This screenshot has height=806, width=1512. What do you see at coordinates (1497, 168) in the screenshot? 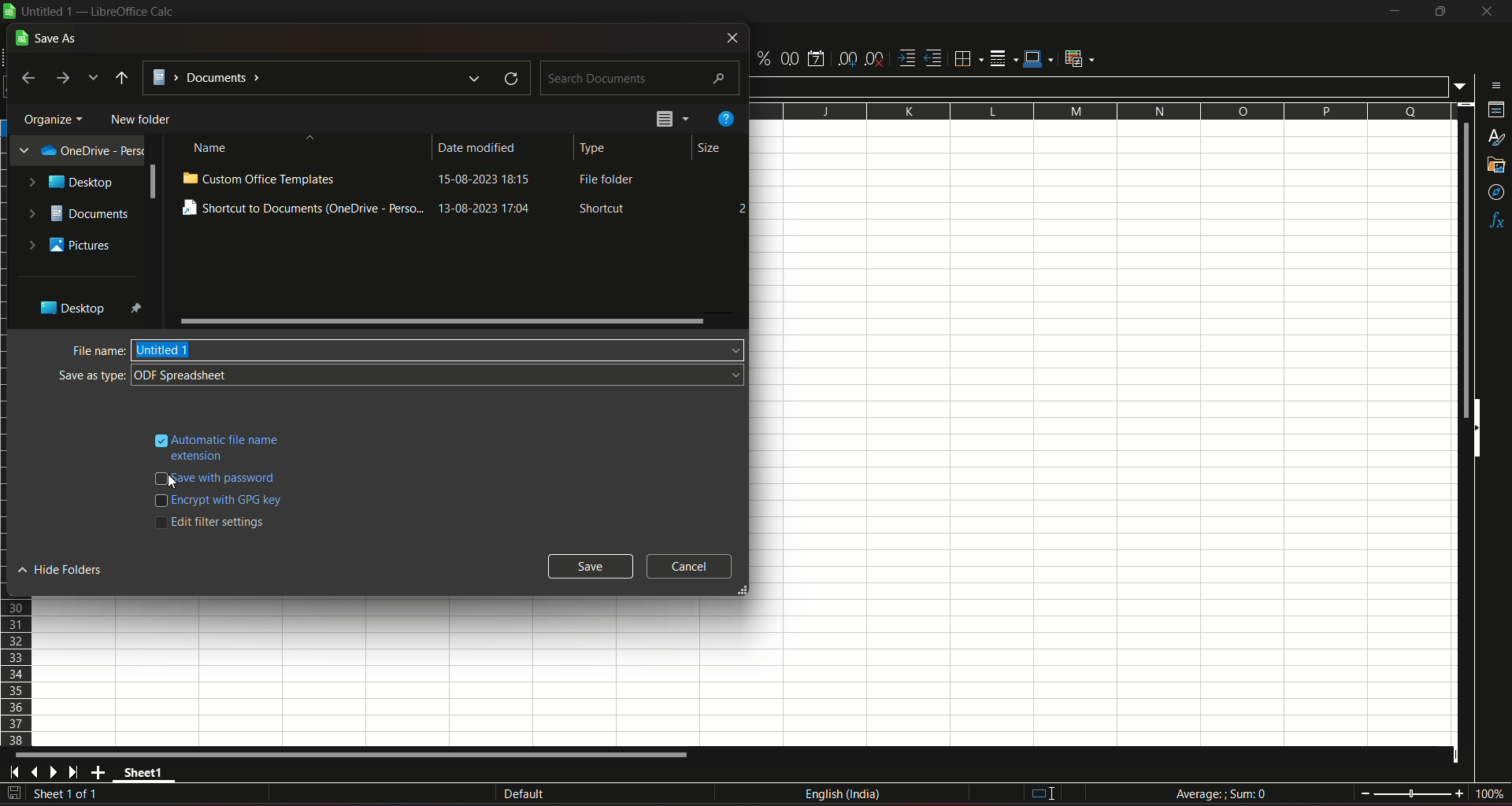
I see `gallery` at bounding box center [1497, 168].